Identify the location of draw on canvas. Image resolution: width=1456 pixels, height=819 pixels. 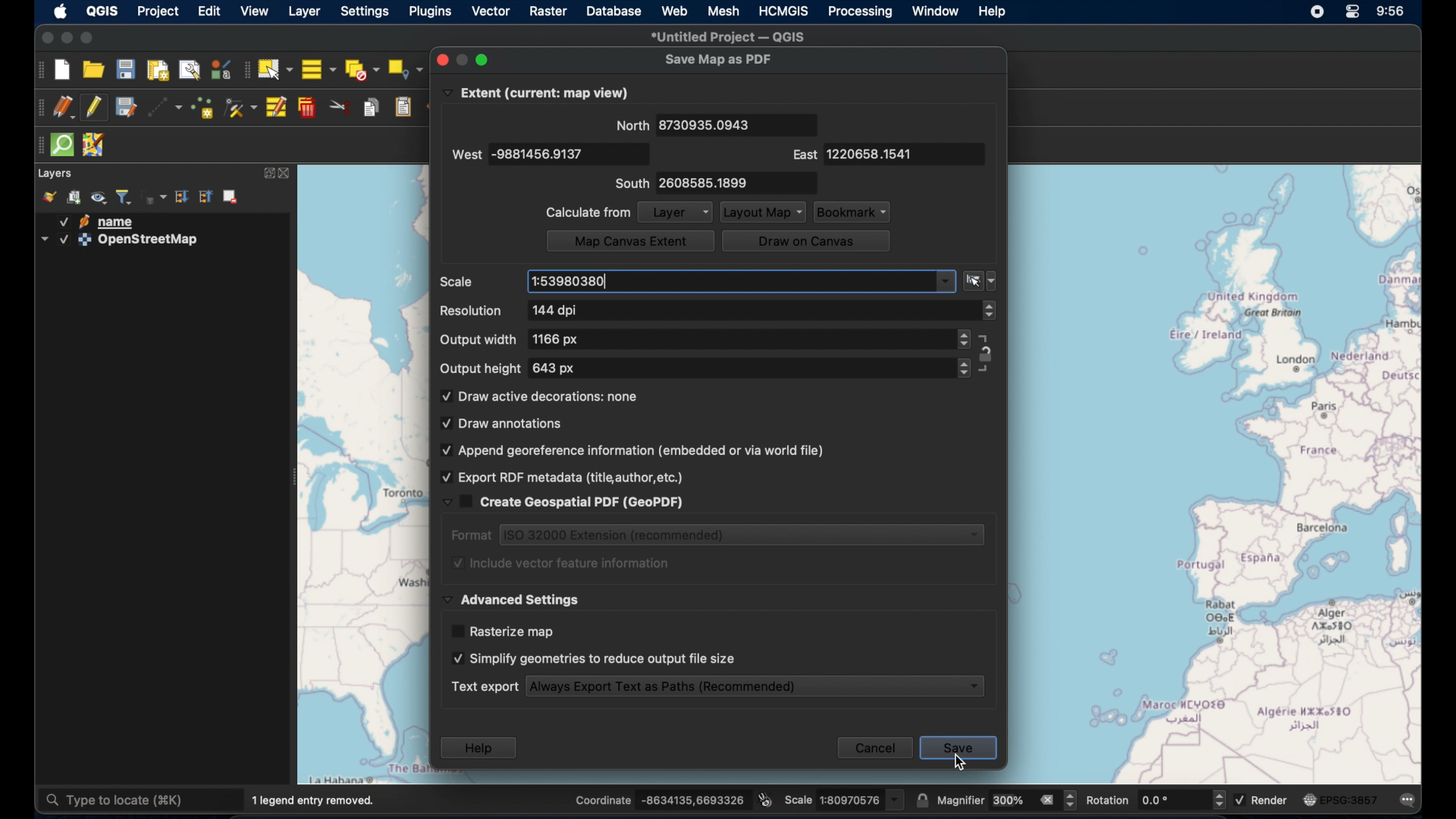
(807, 240).